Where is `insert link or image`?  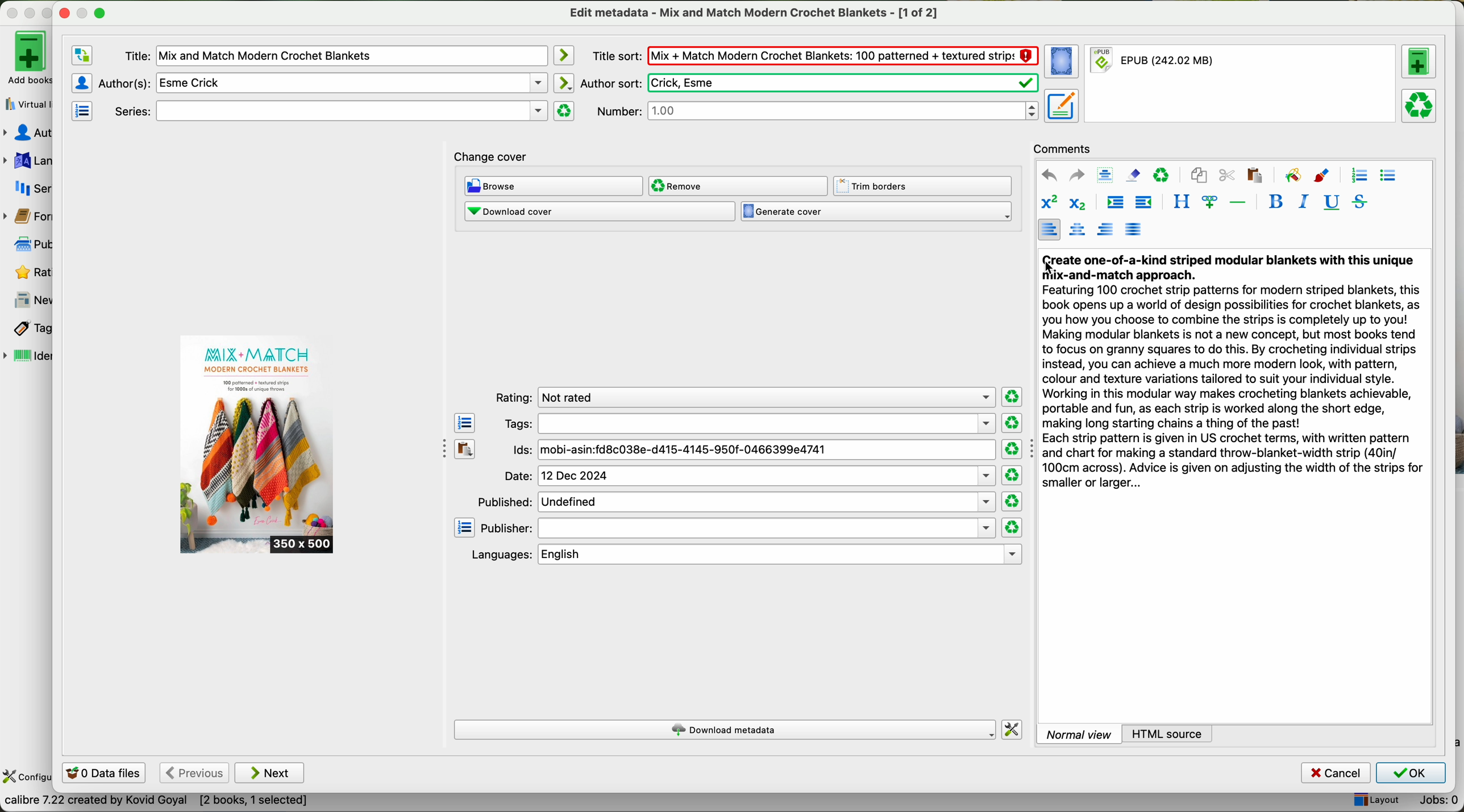
insert link or image is located at coordinates (1209, 202).